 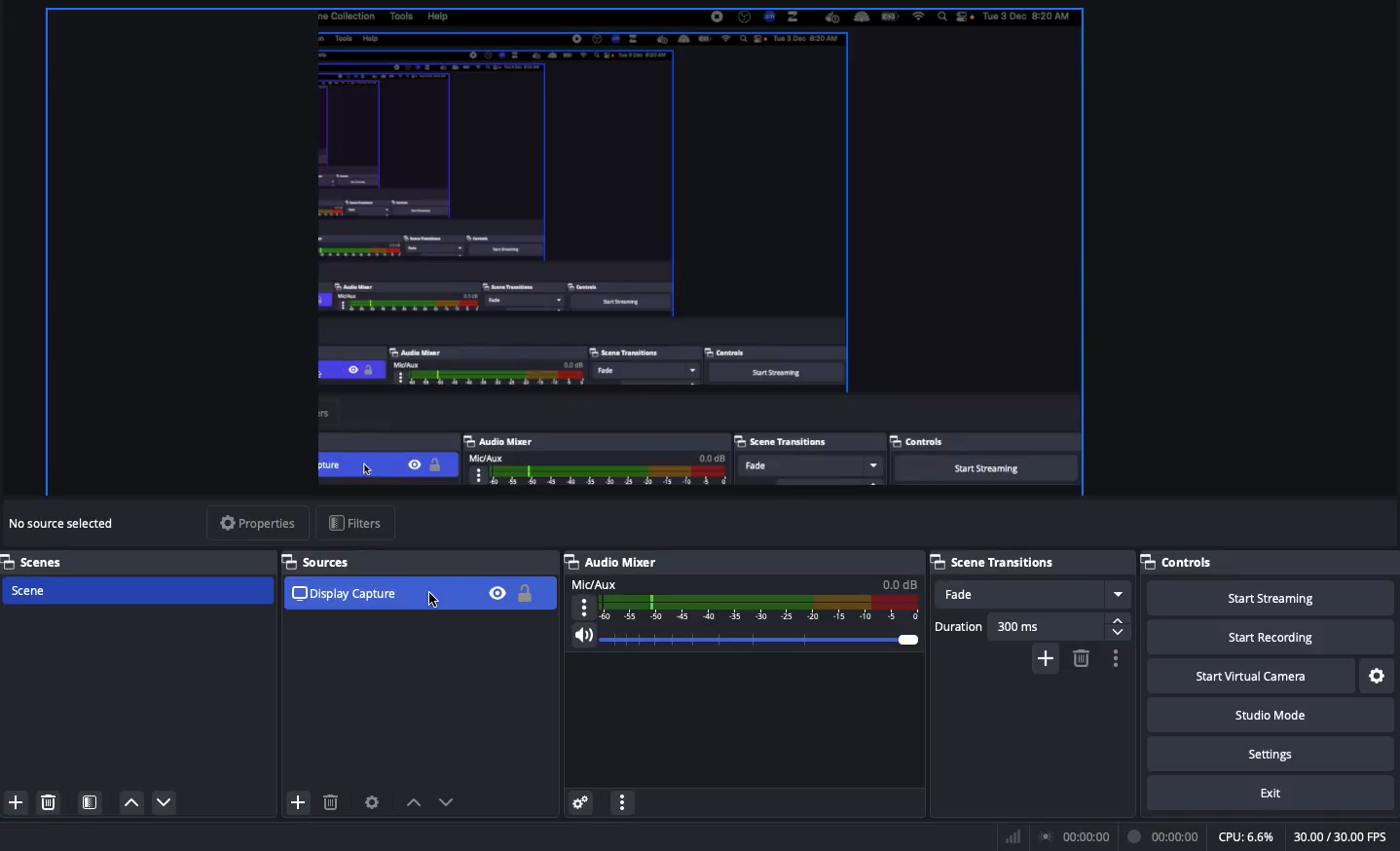 What do you see at coordinates (433, 599) in the screenshot?
I see `cursor` at bounding box center [433, 599].